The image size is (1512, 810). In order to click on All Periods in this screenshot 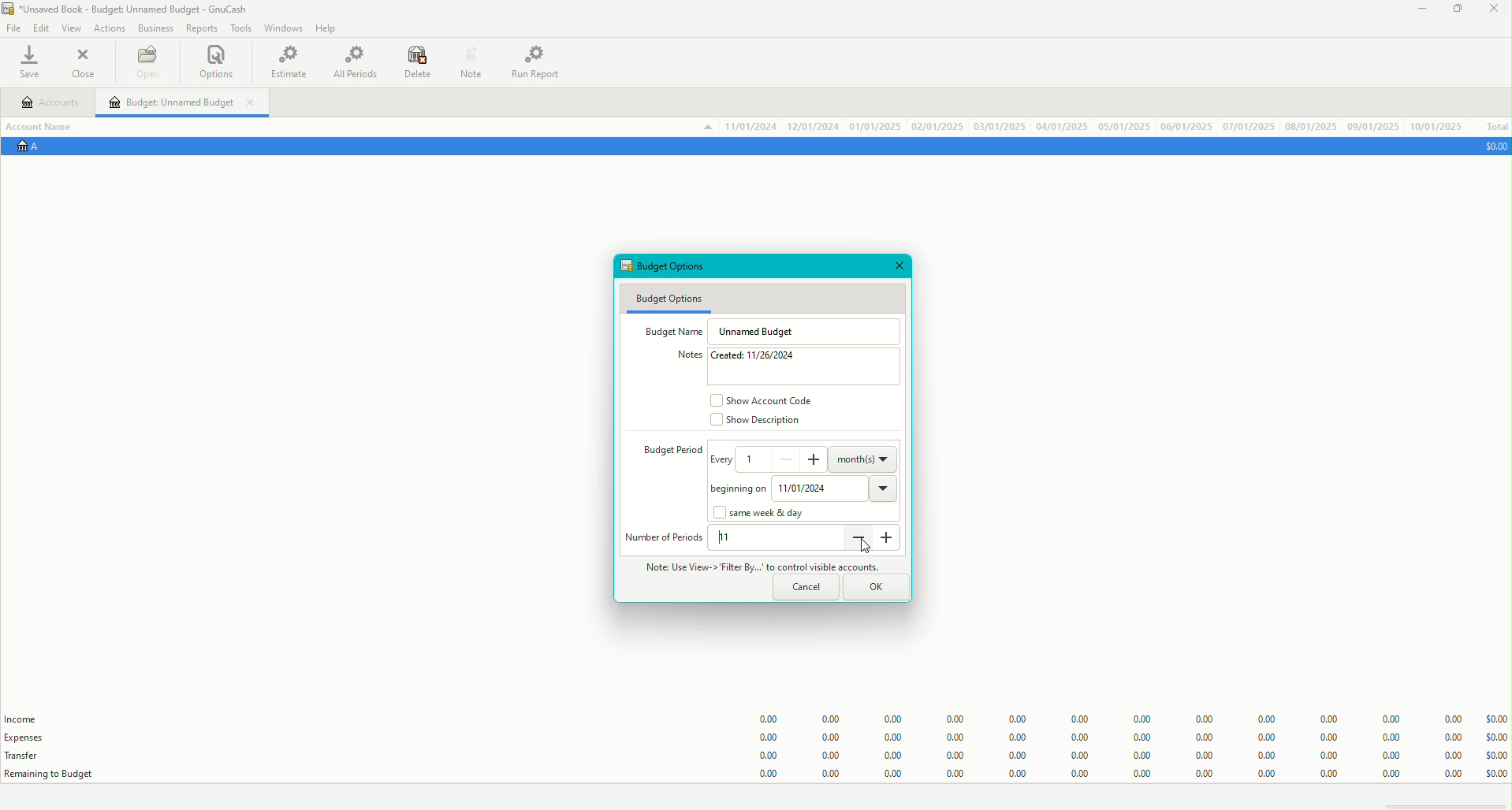, I will do `click(355, 63)`.